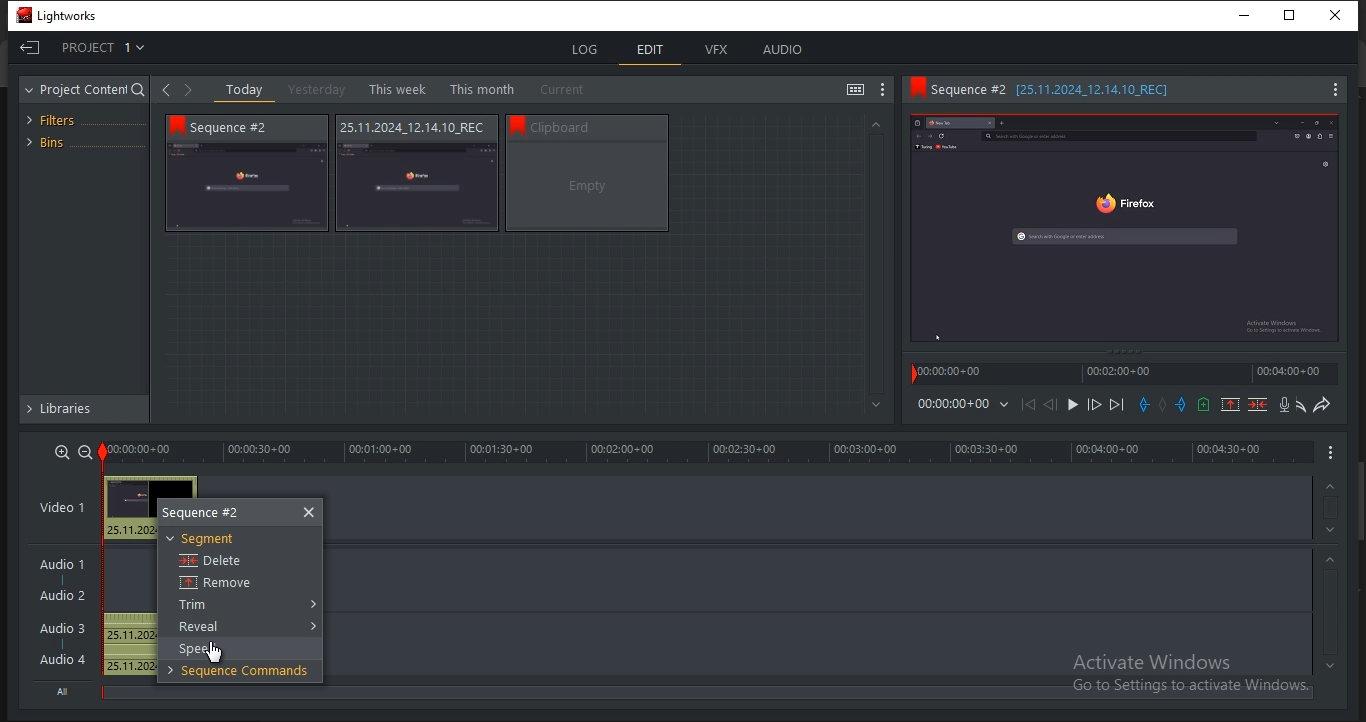 This screenshot has width=1366, height=722. Describe the element at coordinates (1357, 499) in the screenshot. I see `Scroll bar` at that location.